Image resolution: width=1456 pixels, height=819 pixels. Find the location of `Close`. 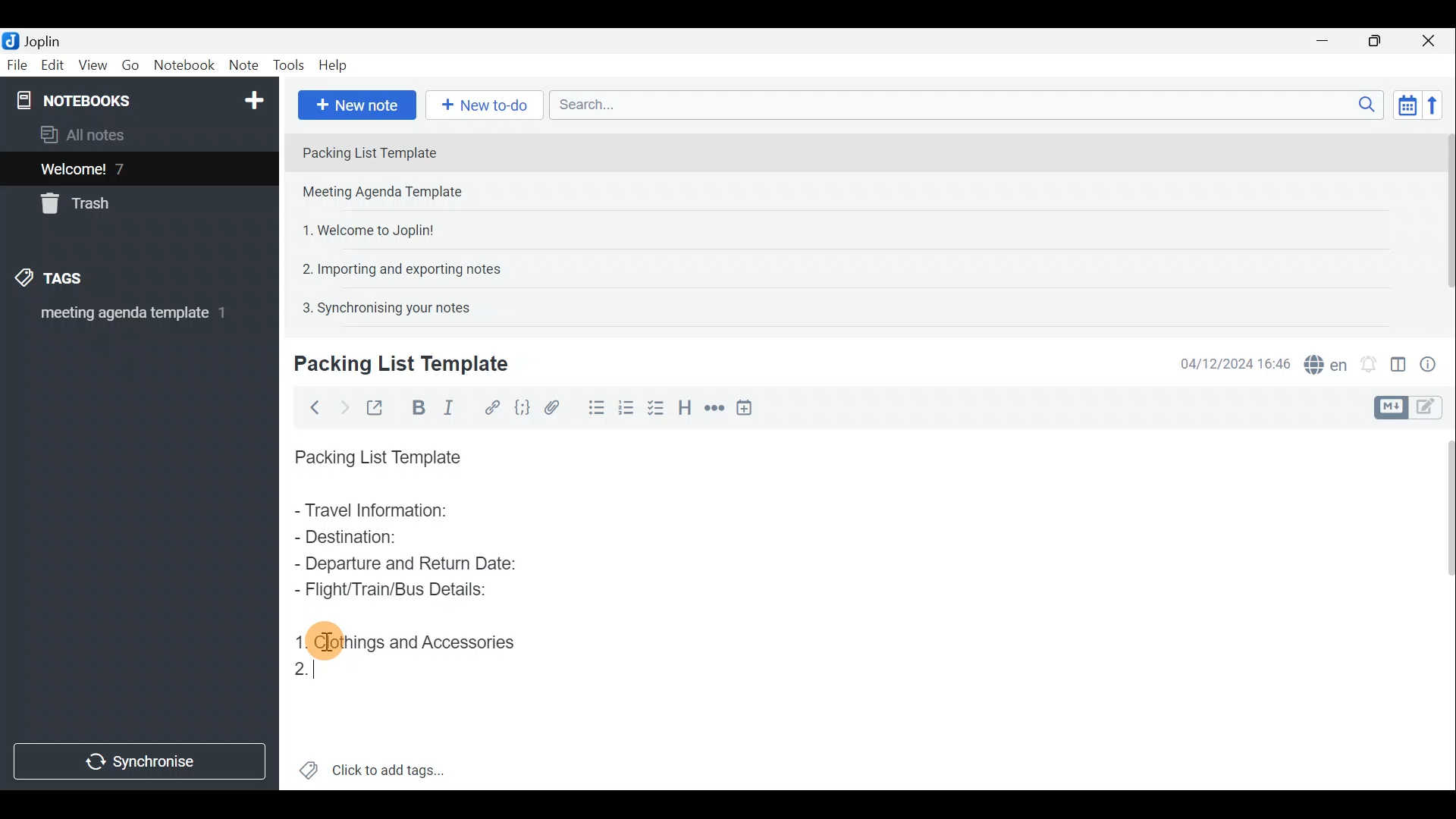

Close is located at coordinates (1433, 40).